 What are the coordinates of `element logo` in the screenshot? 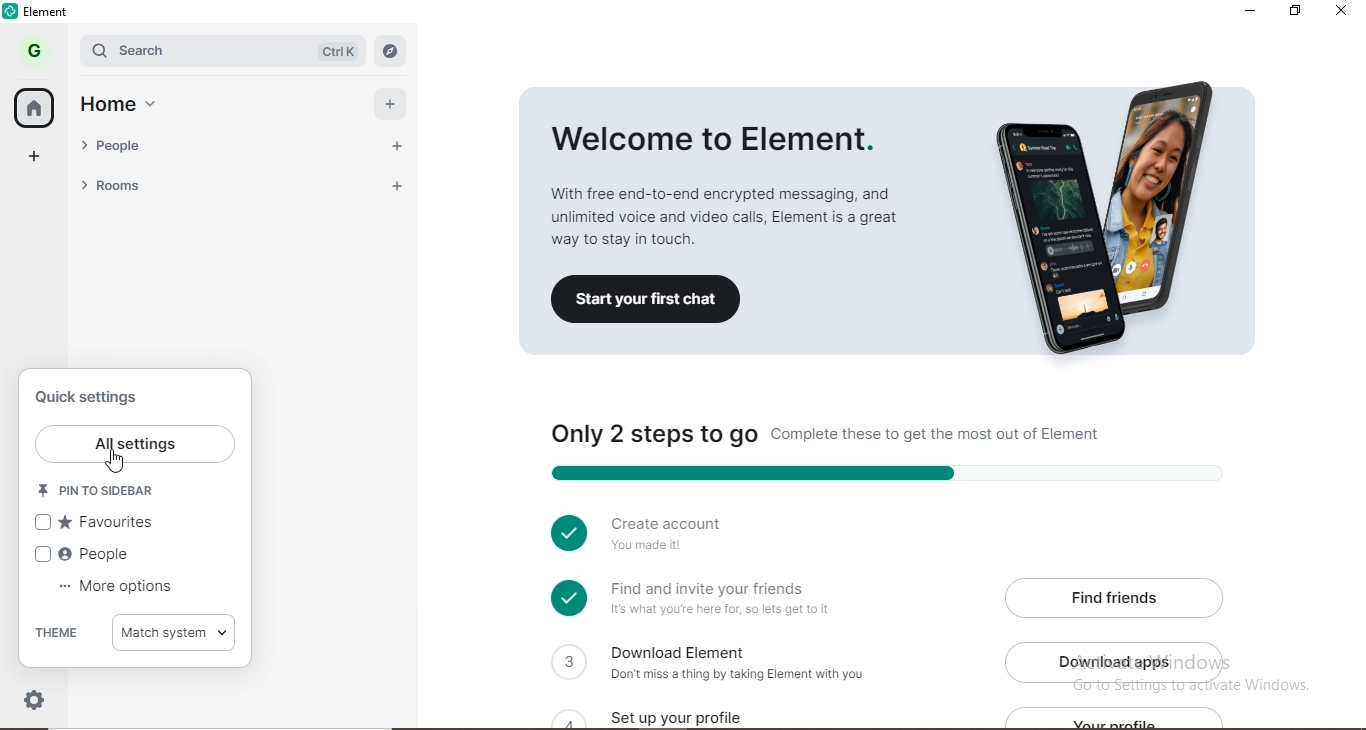 It's located at (13, 11).